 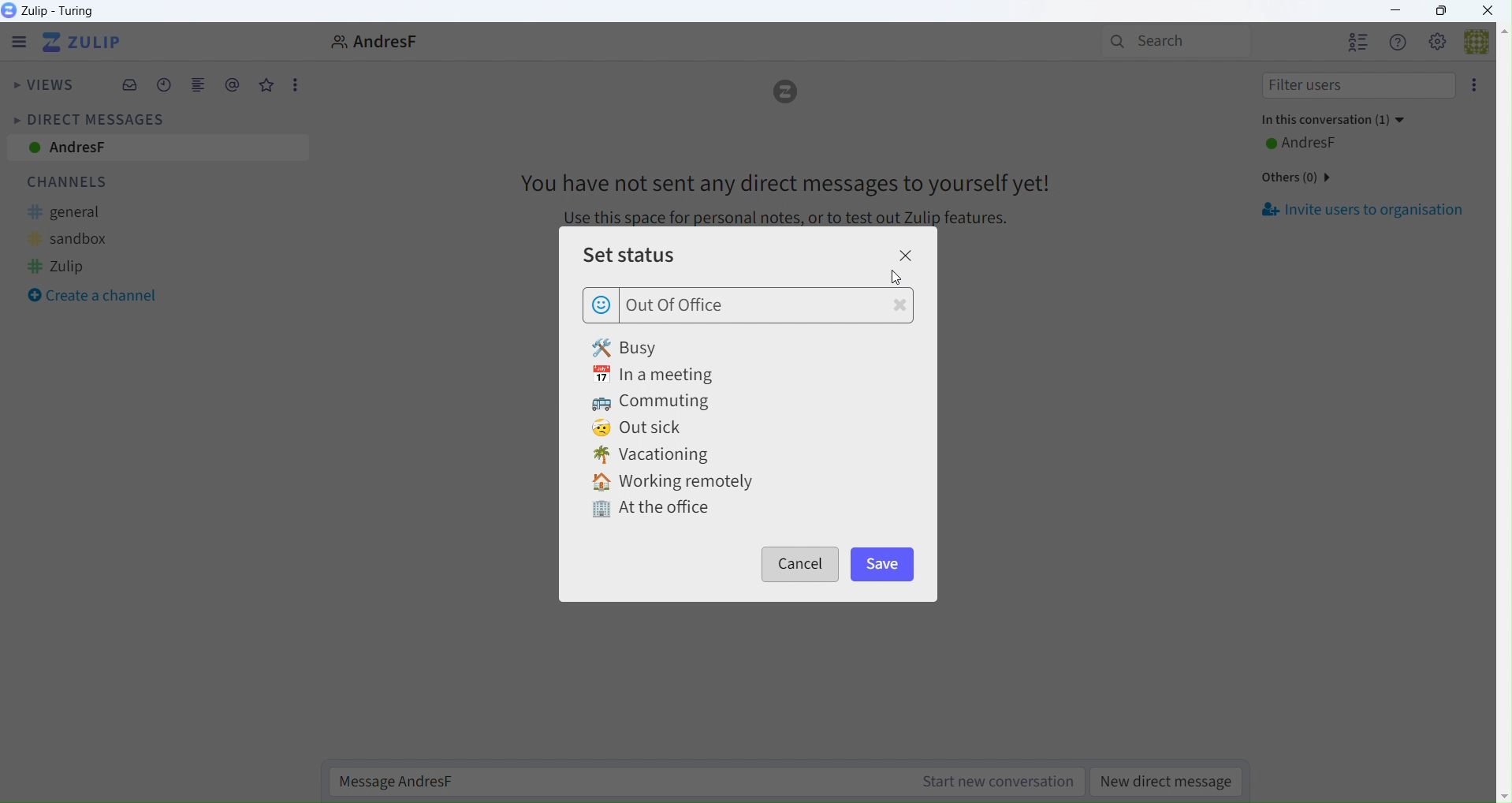 What do you see at coordinates (780, 190) in the screenshot?
I see `Message` at bounding box center [780, 190].